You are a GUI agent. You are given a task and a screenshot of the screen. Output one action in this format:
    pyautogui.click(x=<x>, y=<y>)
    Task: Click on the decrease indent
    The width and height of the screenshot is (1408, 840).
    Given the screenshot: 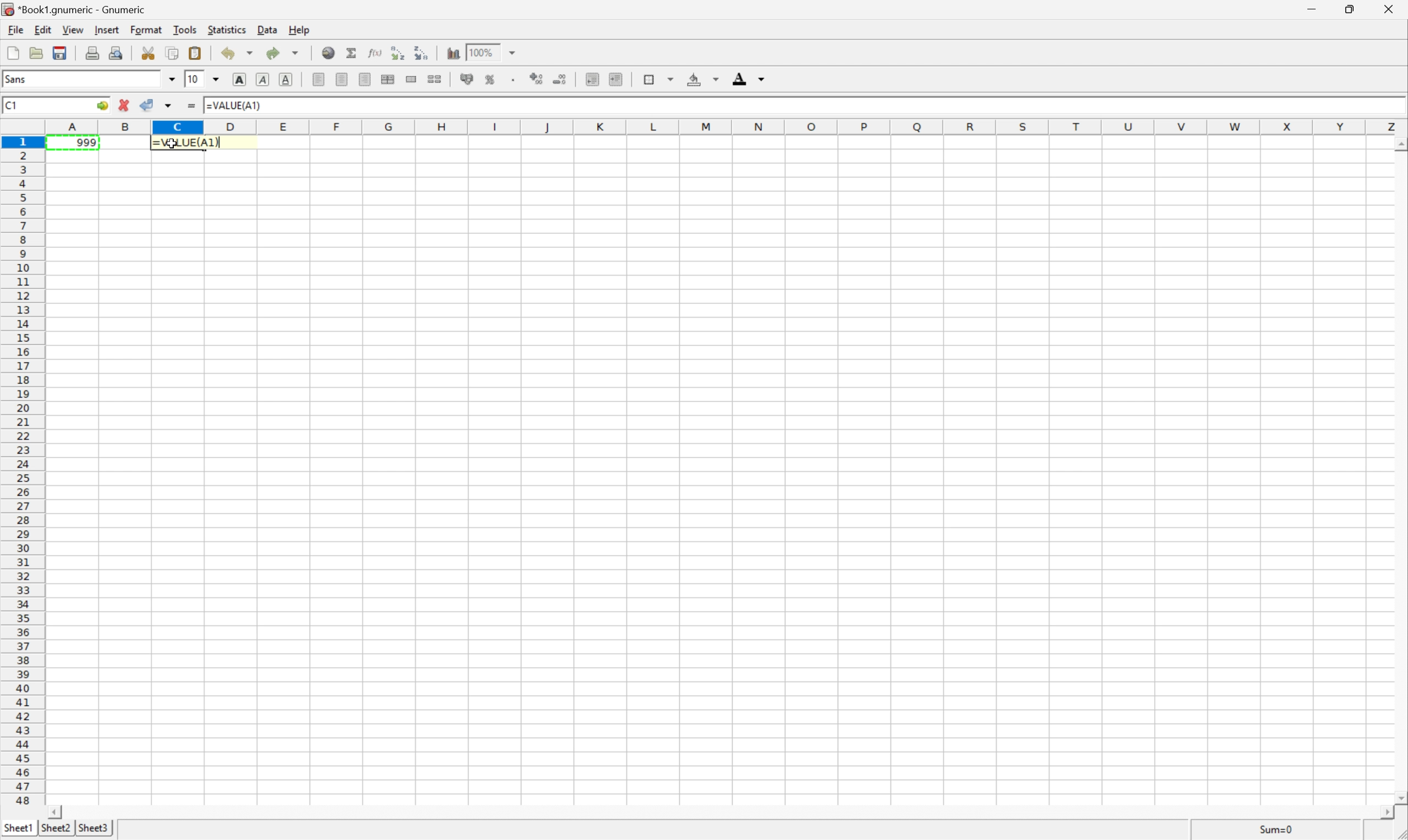 What is the action you would take?
    pyautogui.click(x=592, y=80)
    